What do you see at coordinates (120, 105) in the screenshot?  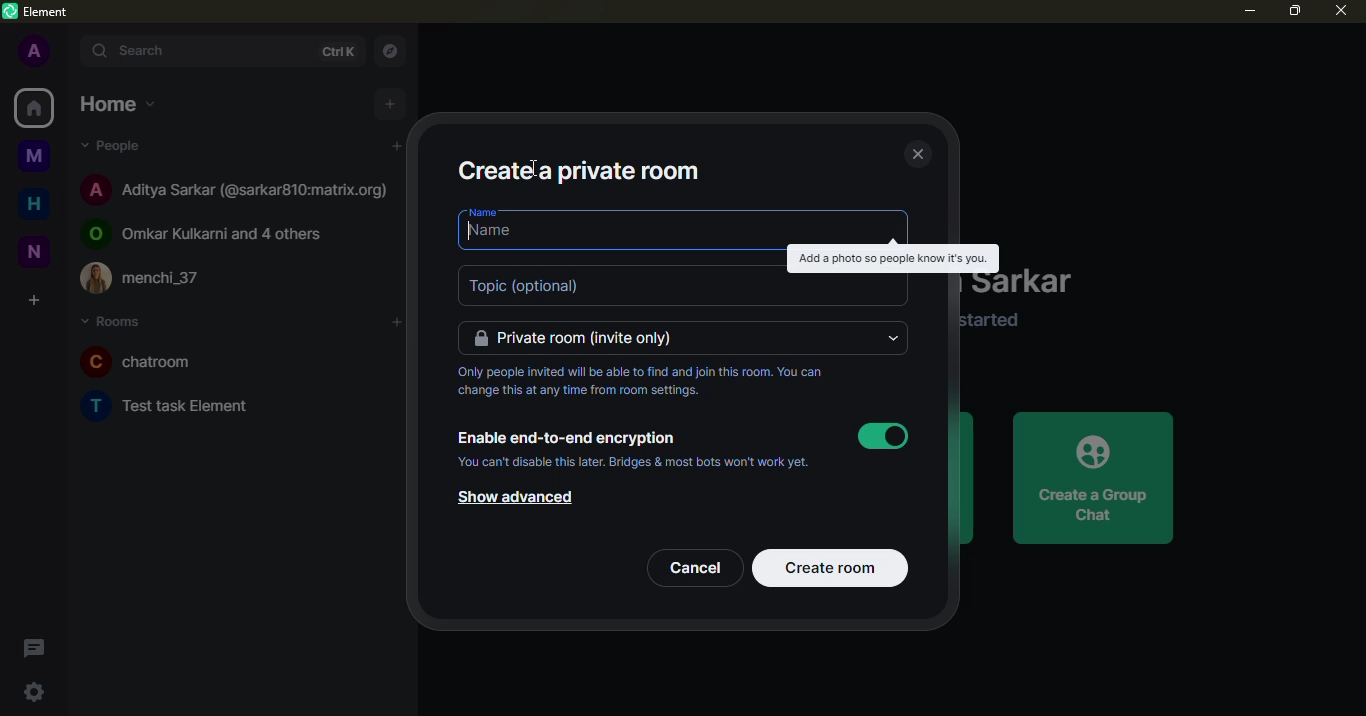 I see `home` at bounding box center [120, 105].